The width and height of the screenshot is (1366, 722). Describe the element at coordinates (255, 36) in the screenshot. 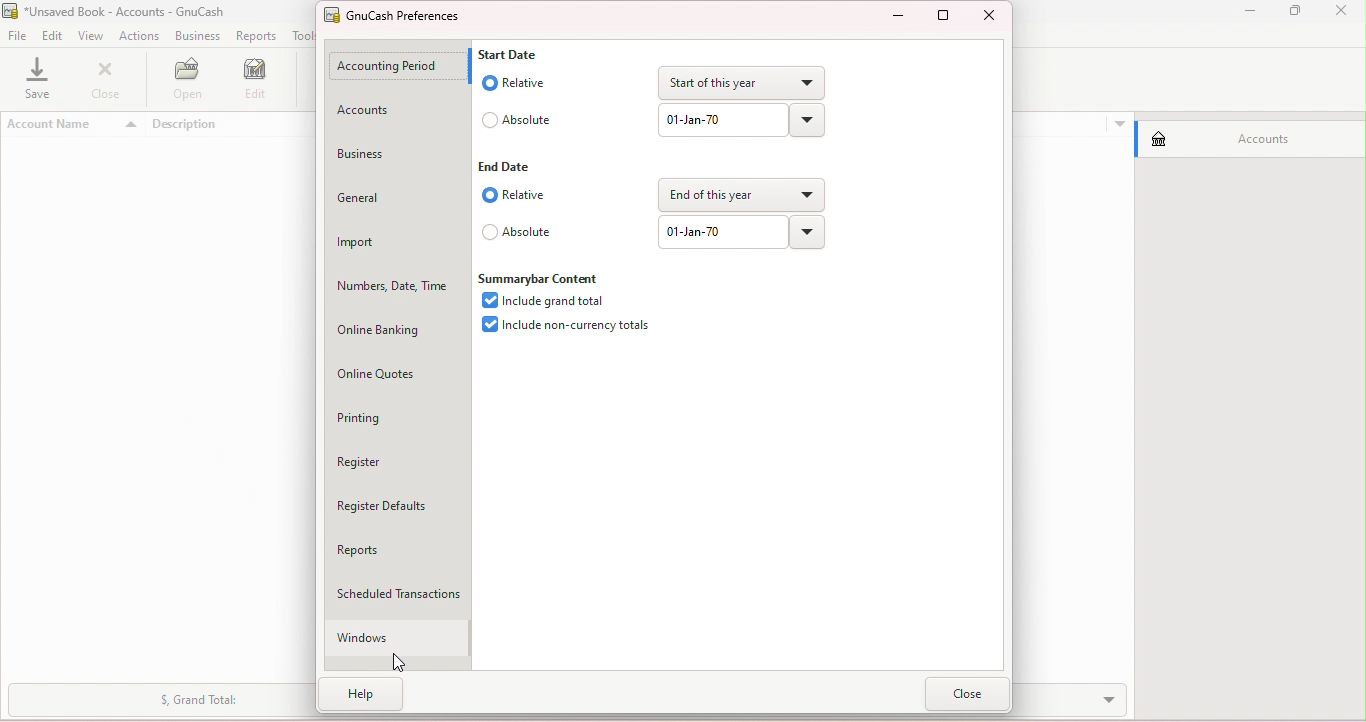

I see `Reports` at that location.